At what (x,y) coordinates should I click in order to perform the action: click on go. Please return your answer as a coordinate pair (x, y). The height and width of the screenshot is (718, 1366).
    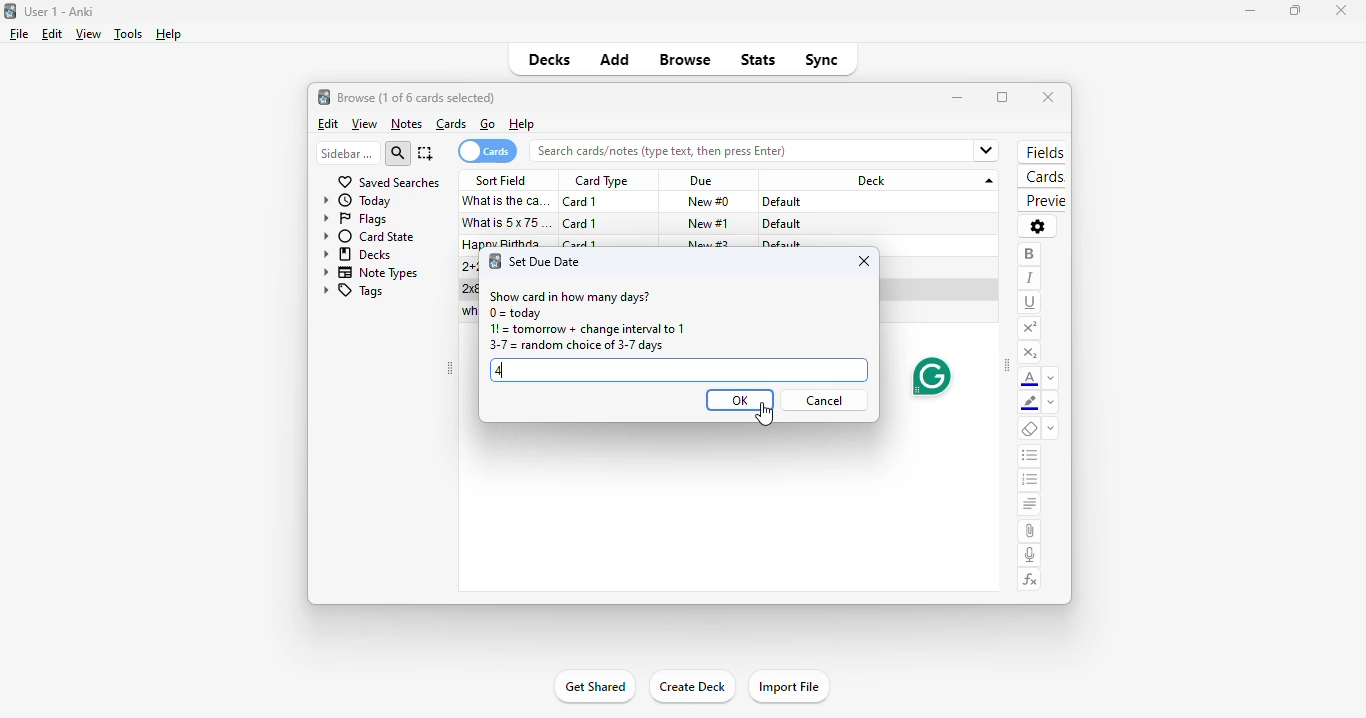
    Looking at the image, I should click on (488, 124).